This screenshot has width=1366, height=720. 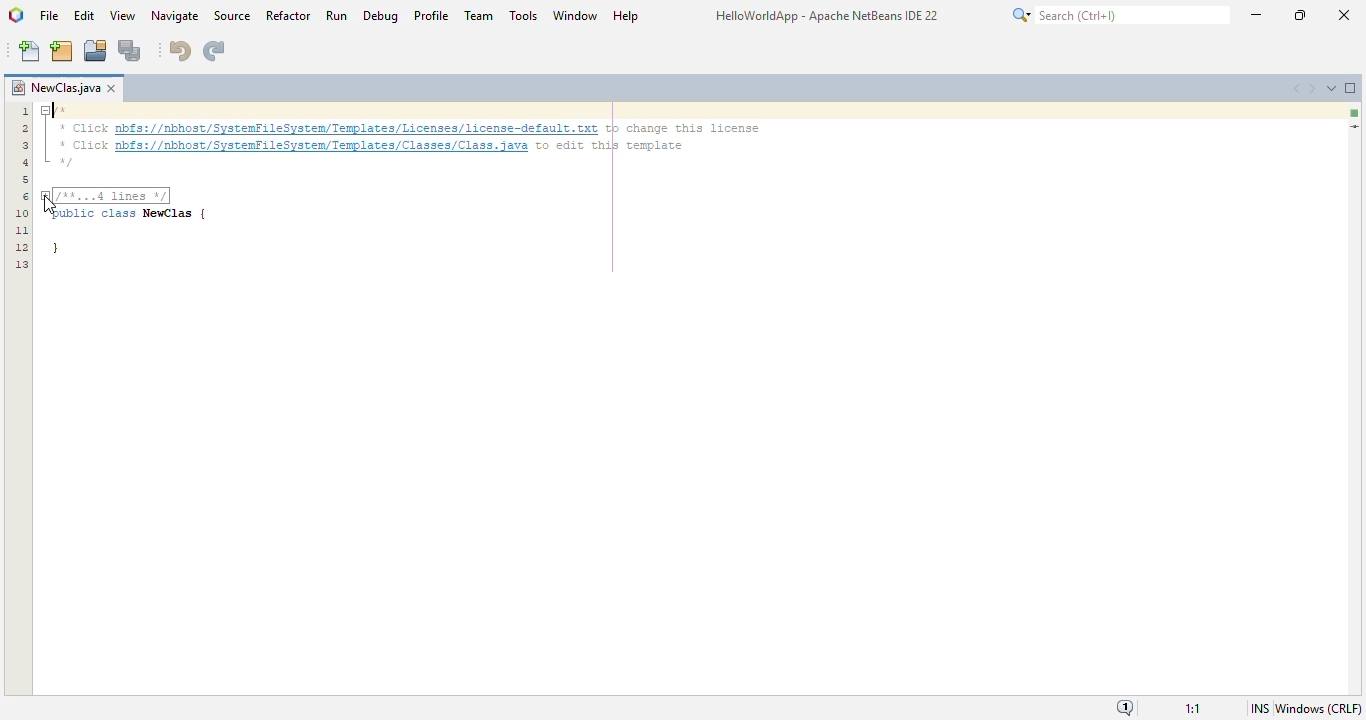 I want to click on navigate, so click(x=174, y=16).